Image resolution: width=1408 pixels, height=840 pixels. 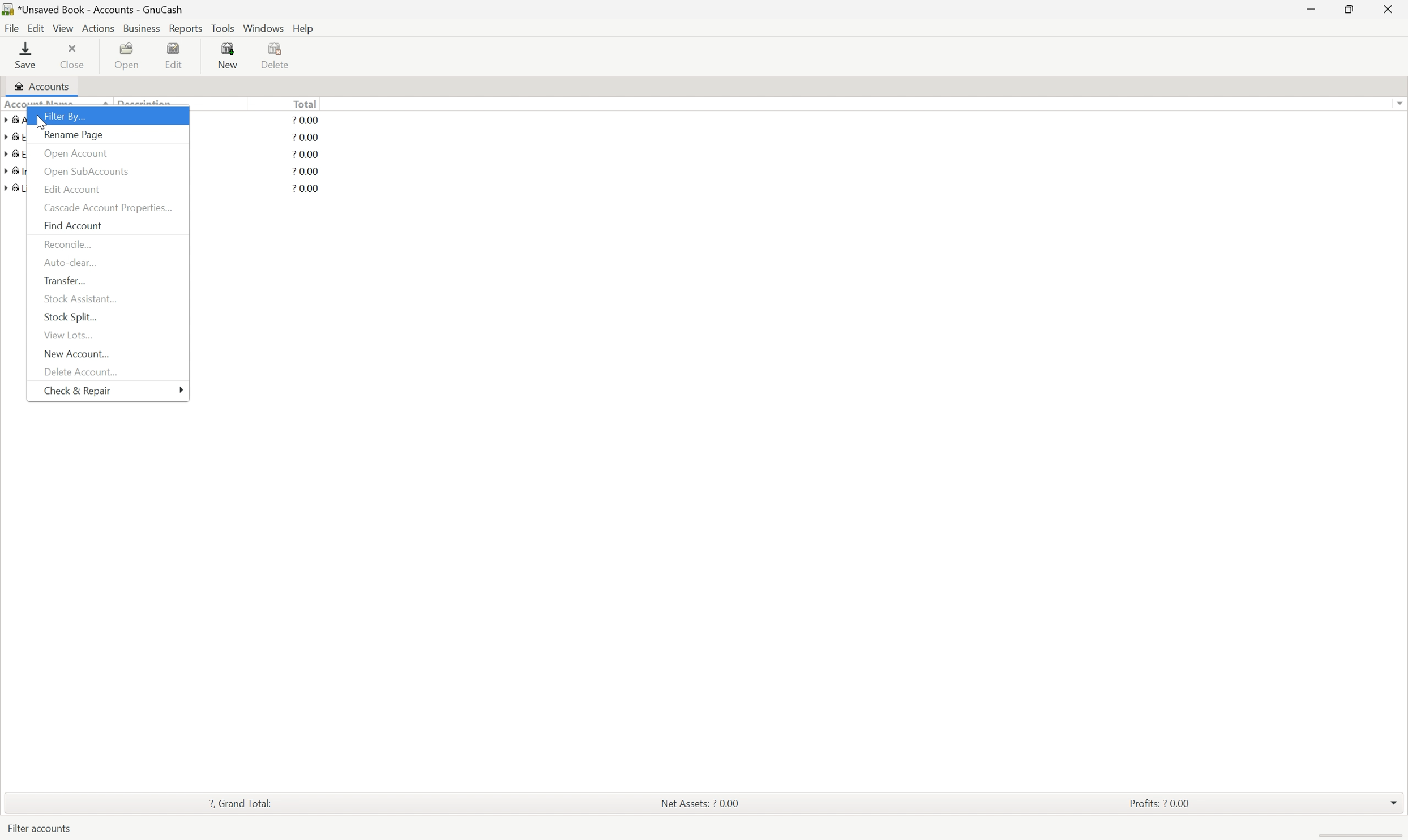 I want to click on Scroll up, so click(x=1399, y=102).